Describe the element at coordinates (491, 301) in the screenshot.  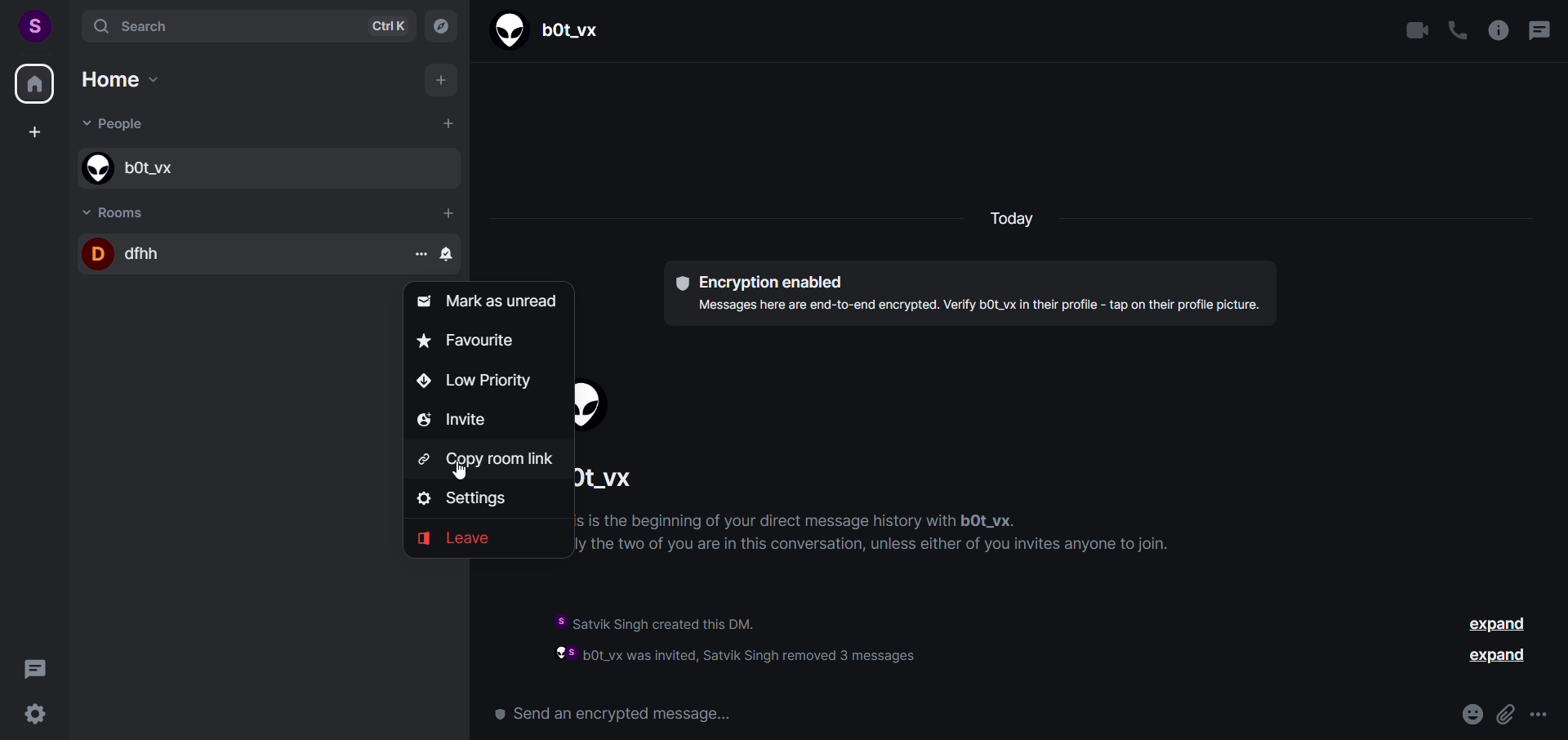
I see `mark as unread` at that location.